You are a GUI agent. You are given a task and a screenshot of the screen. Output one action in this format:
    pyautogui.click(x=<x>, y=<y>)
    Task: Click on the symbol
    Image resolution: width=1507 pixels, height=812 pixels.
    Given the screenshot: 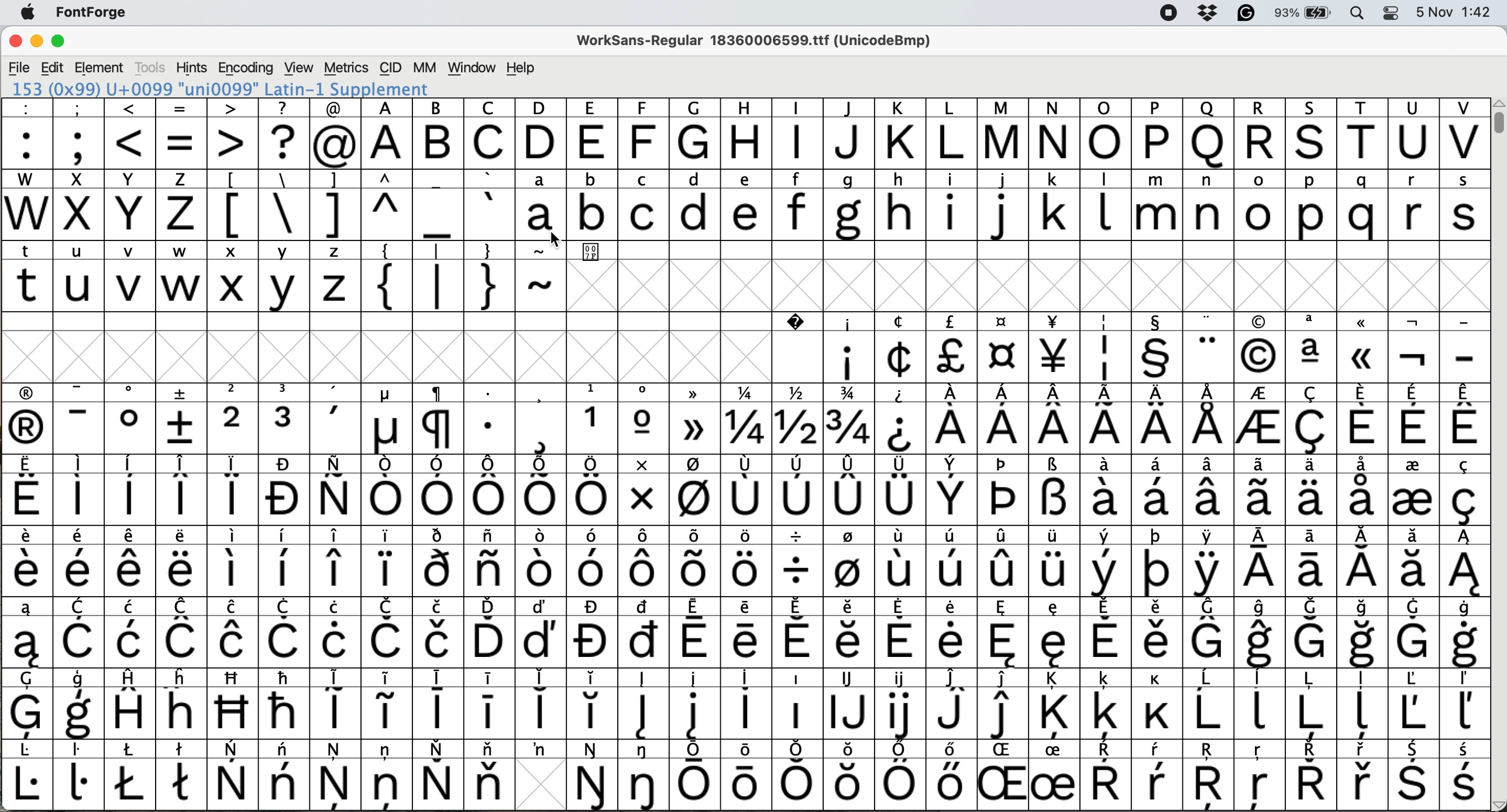 What is the action you would take?
    pyautogui.click(x=1260, y=563)
    